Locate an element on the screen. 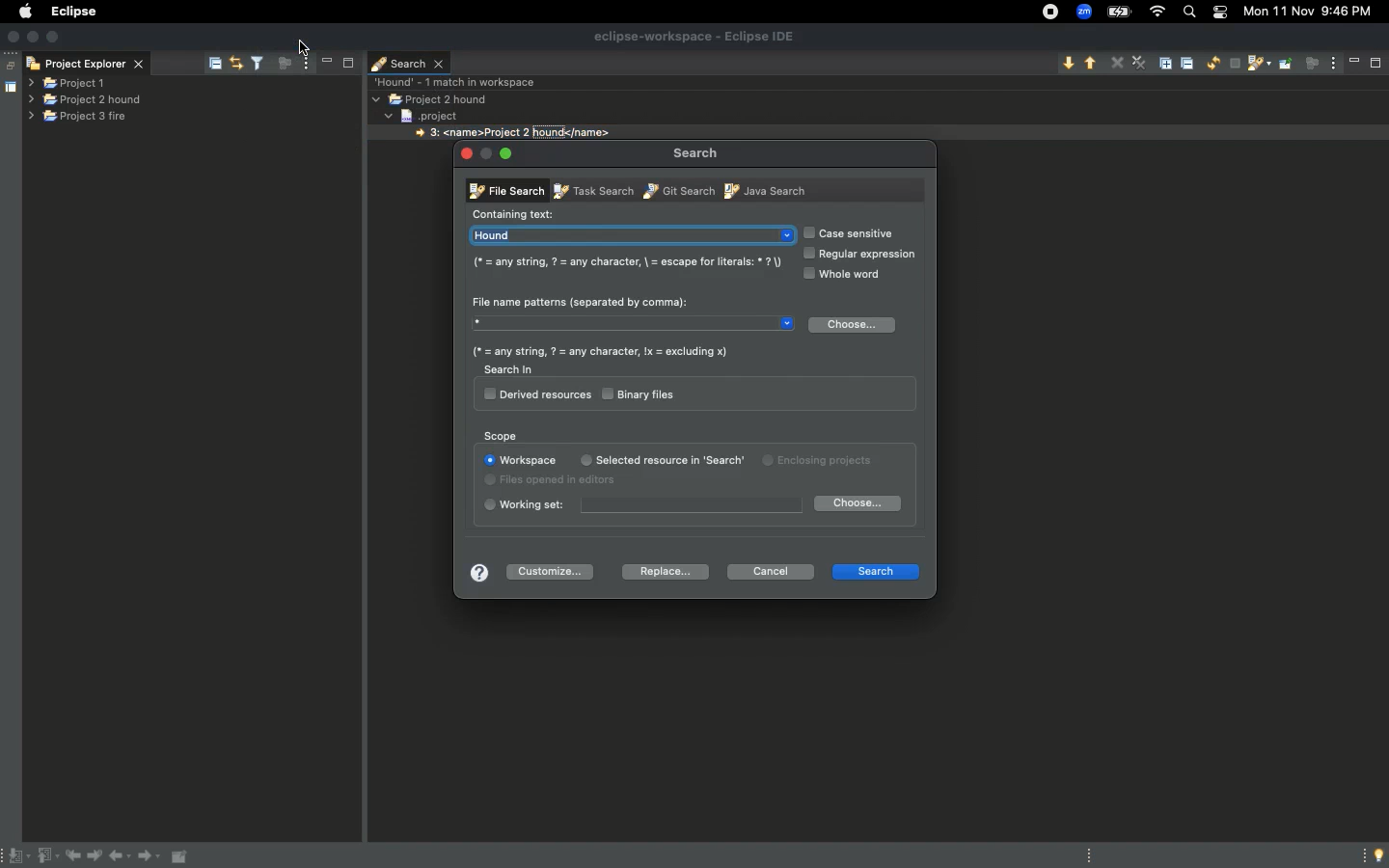 This screenshot has width=1389, height=868. restore is located at coordinates (9, 60).